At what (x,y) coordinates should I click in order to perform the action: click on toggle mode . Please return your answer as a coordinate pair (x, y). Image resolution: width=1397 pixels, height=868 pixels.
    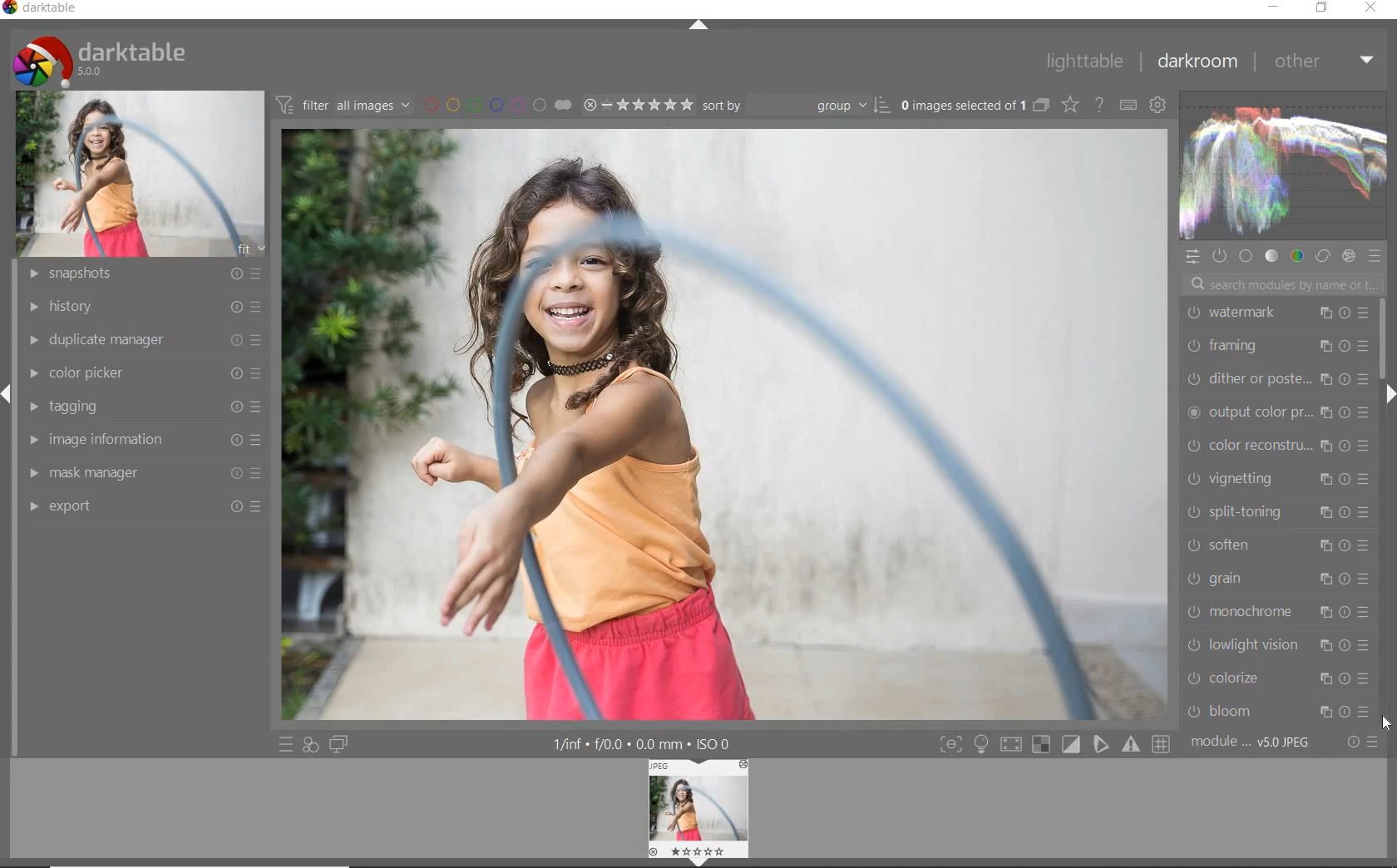
    Looking at the image, I should click on (1163, 744).